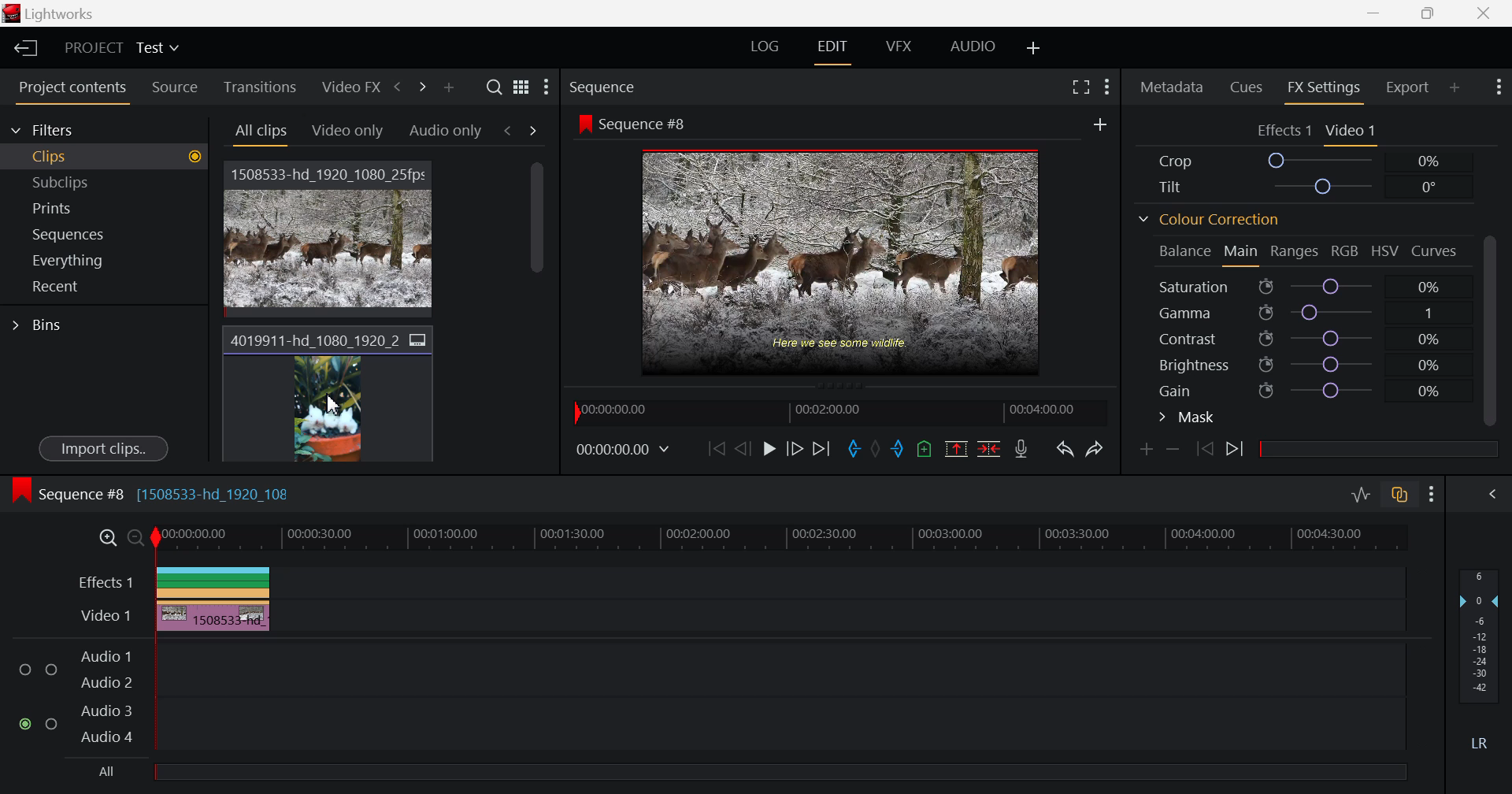 The width and height of the screenshot is (1512, 794). Describe the element at coordinates (927, 450) in the screenshot. I see `Mark Cue` at that location.